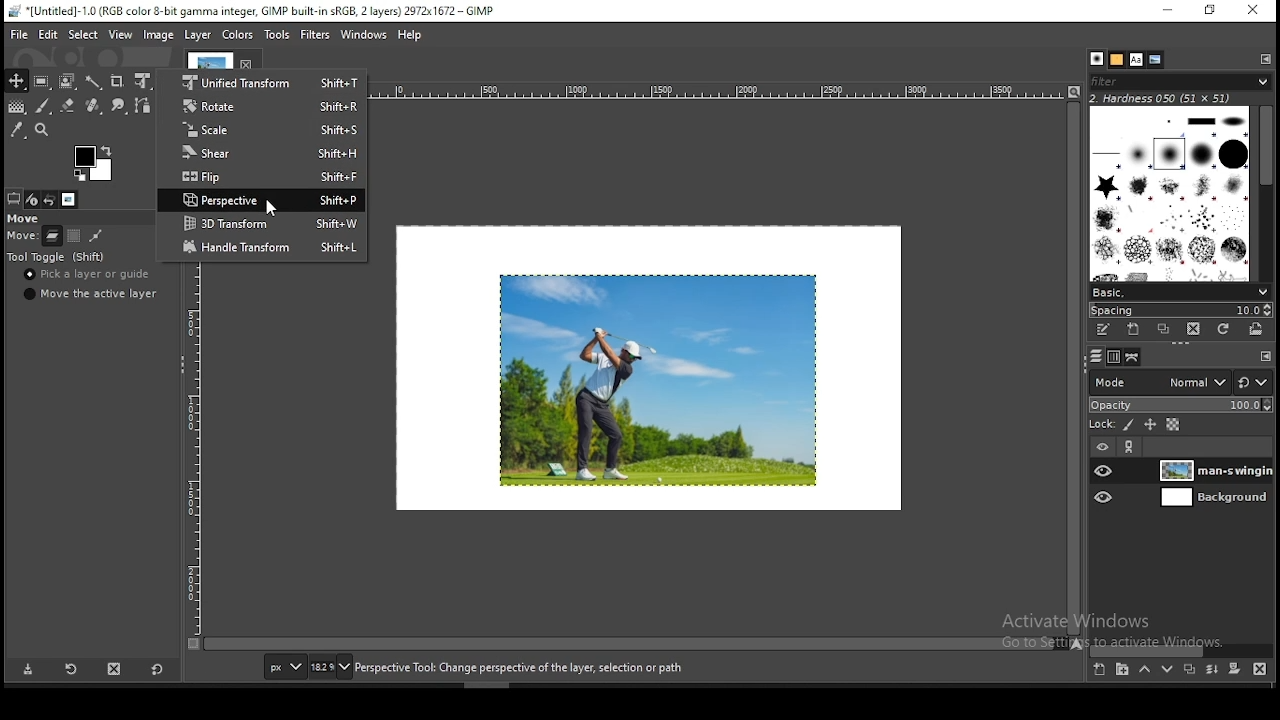 The height and width of the screenshot is (720, 1280). I want to click on scroll bar, so click(1183, 648).